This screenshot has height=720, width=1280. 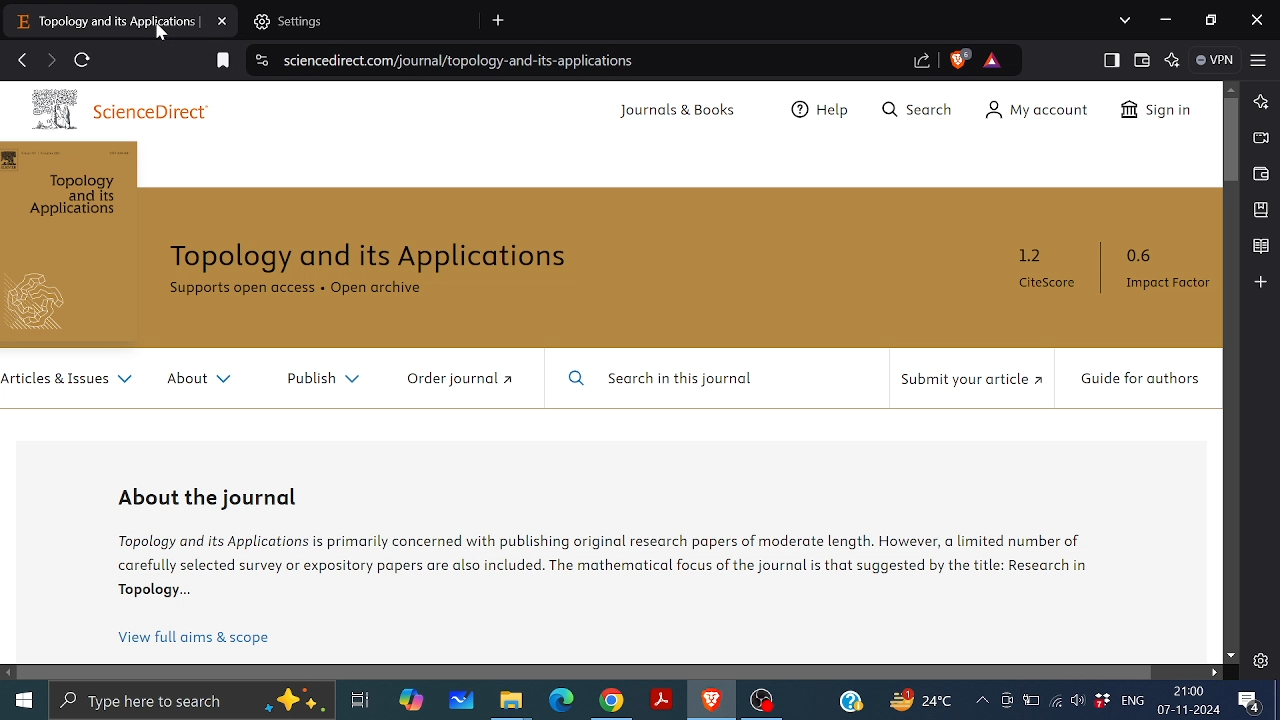 I want to click on Publish , so click(x=324, y=380).